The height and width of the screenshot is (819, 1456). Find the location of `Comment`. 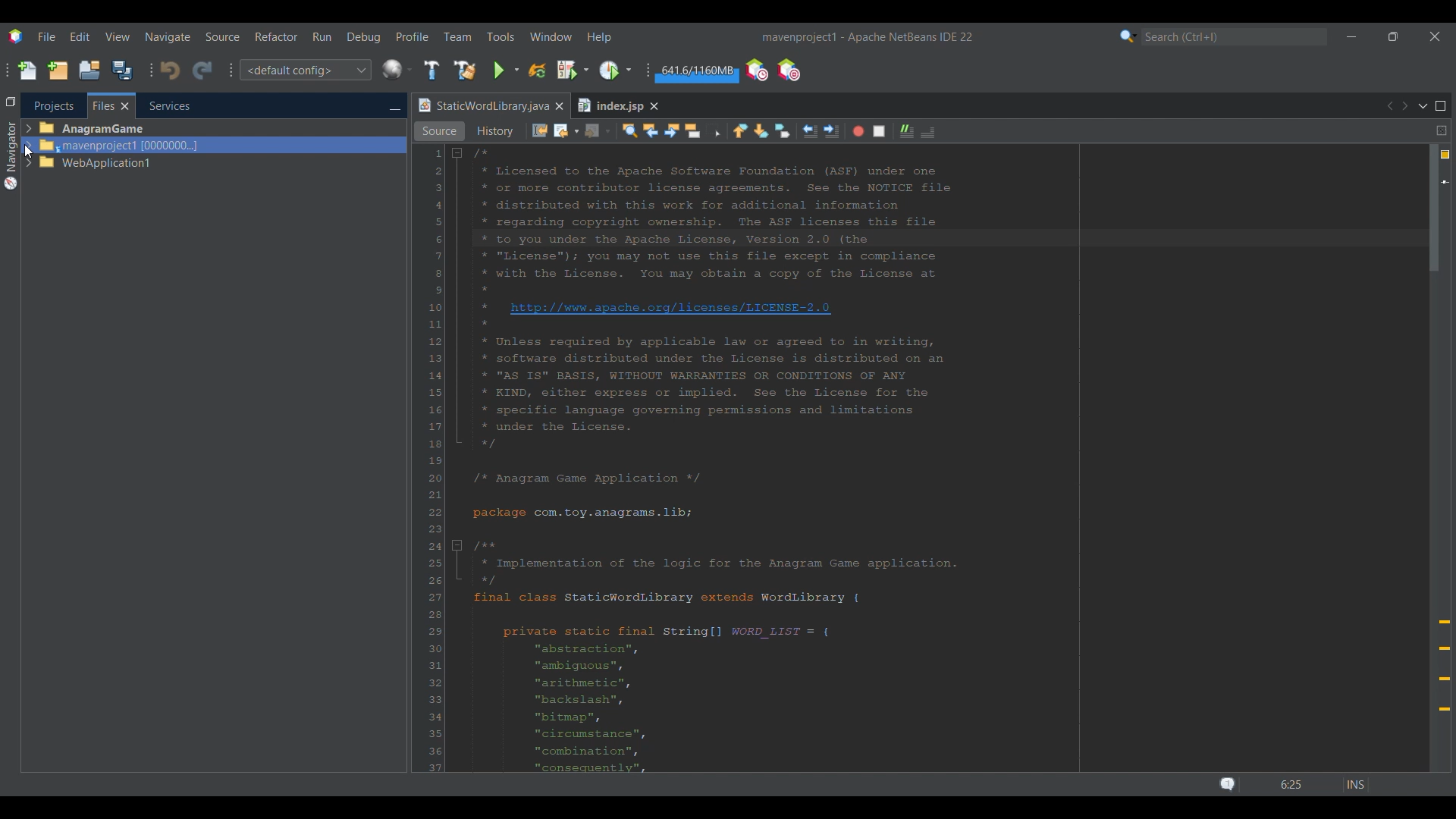

Comment is located at coordinates (907, 131).